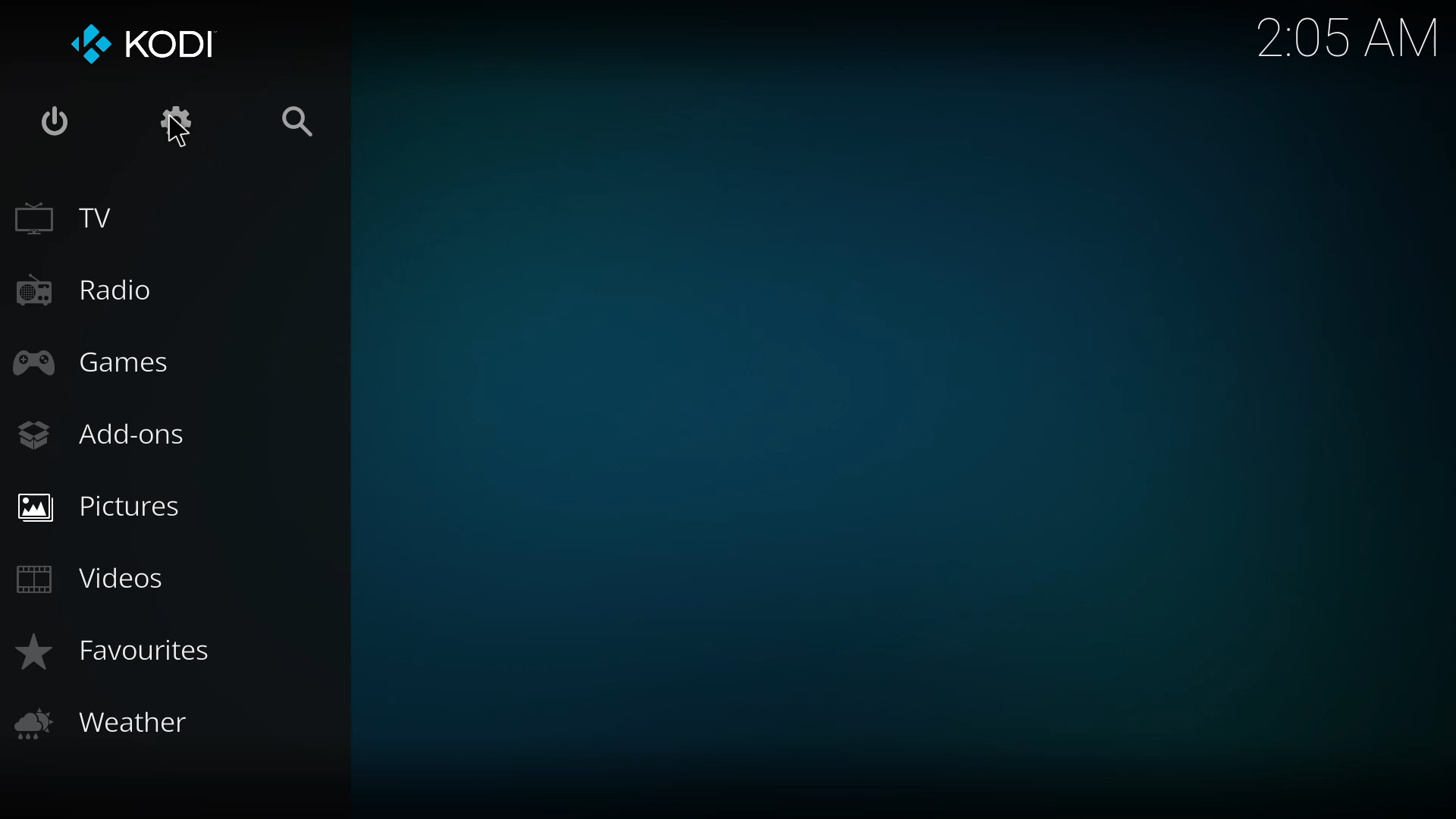 This screenshot has width=1456, height=819. What do you see at coordinates (175, 125) in the screenshot?
I see `settings` at bounding box center [175, 125].